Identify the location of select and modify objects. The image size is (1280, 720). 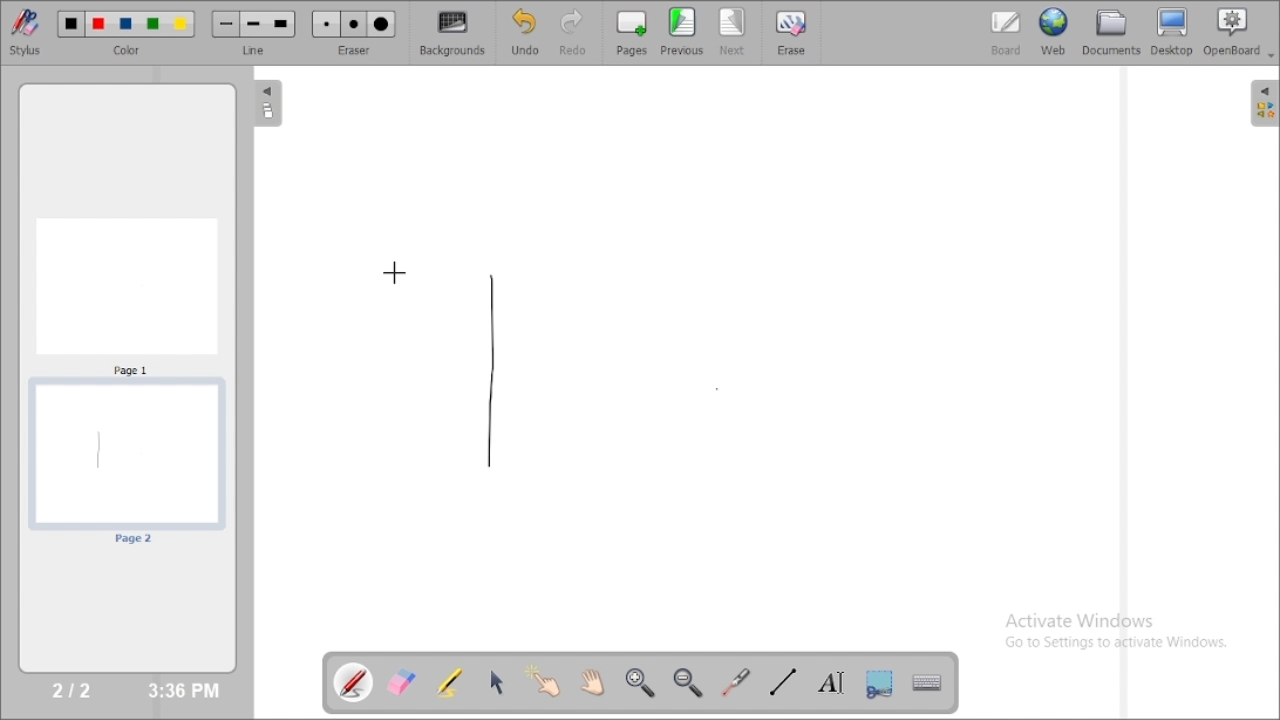
(497, 682).